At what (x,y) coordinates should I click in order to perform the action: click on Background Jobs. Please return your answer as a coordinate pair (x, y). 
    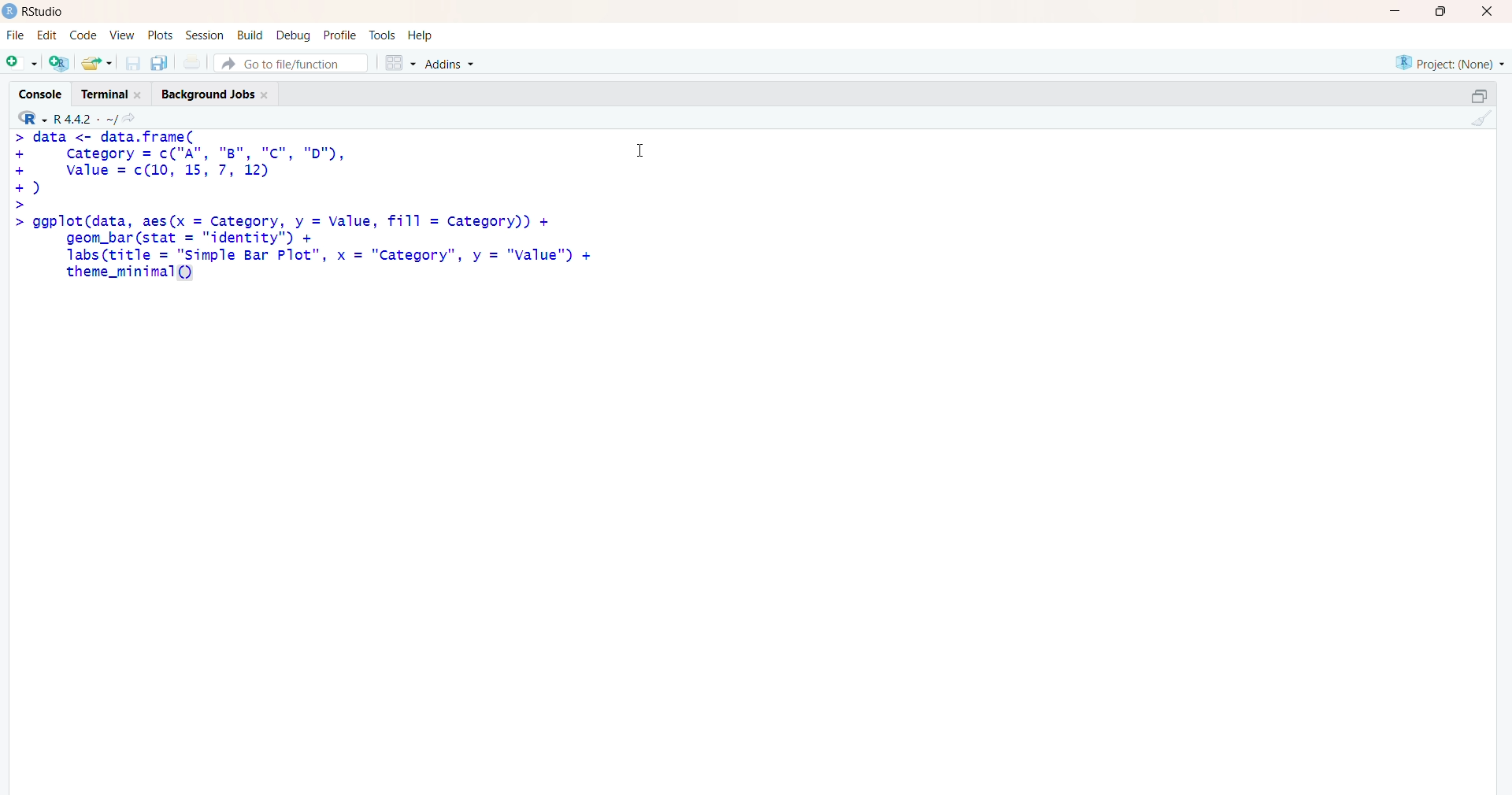
    Looking at the image, I should click on (214, 91).